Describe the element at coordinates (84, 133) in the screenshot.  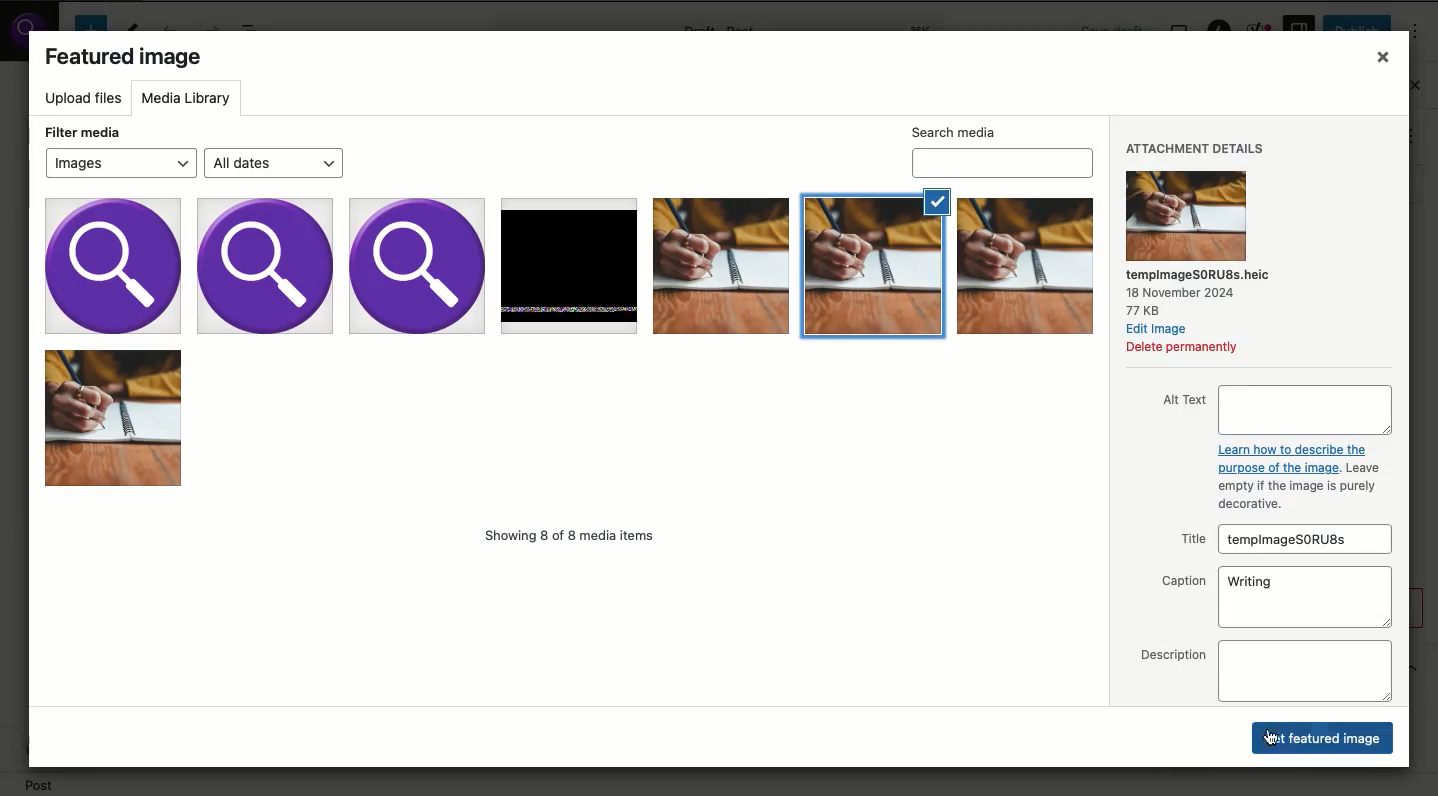
I see `Filter media` at that location.